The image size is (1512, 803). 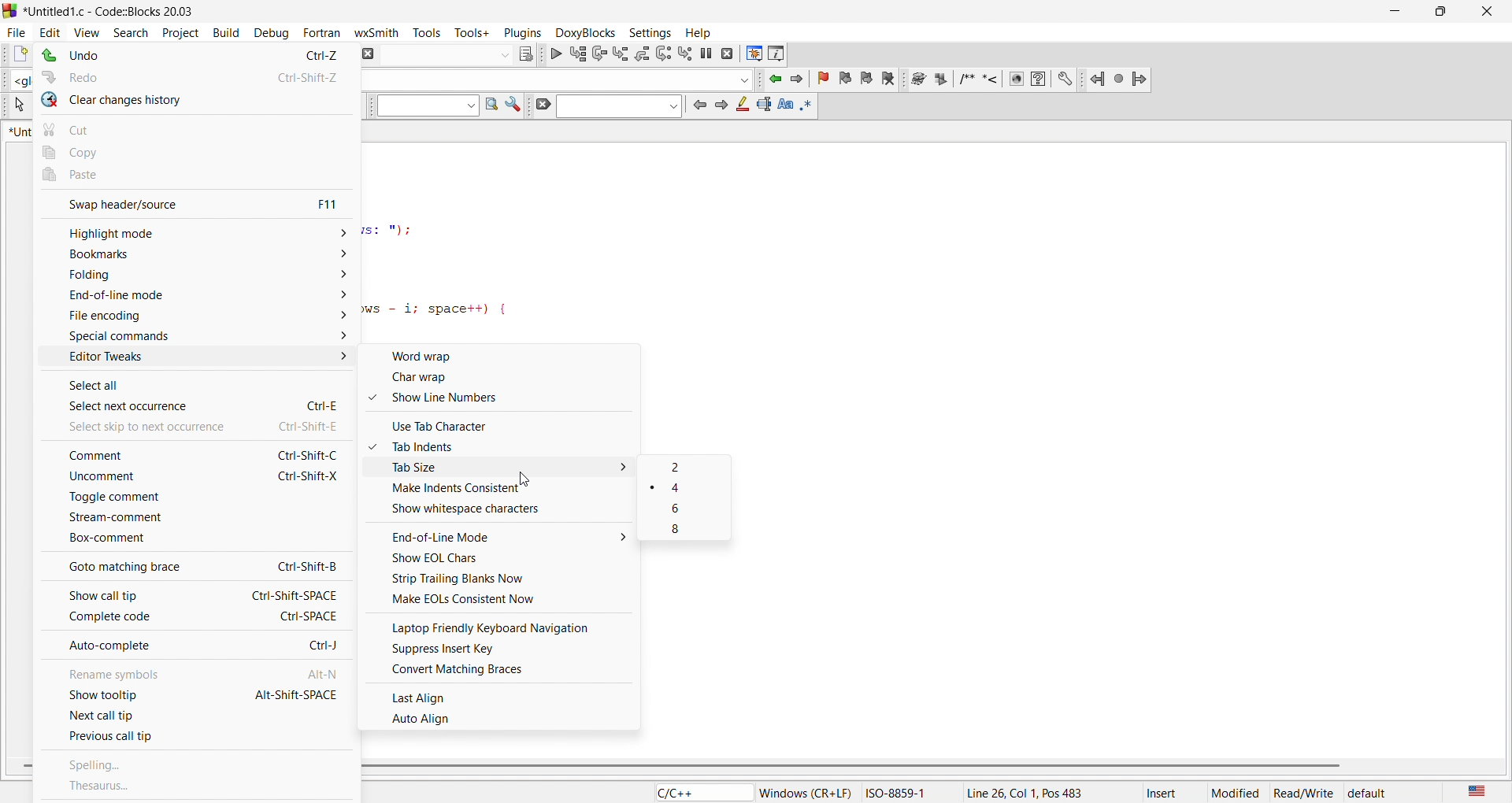 What do you see at coordinates (314, 54) in the screenshot?
I see `Ctrl-Z` at bounding box center [314, 54].